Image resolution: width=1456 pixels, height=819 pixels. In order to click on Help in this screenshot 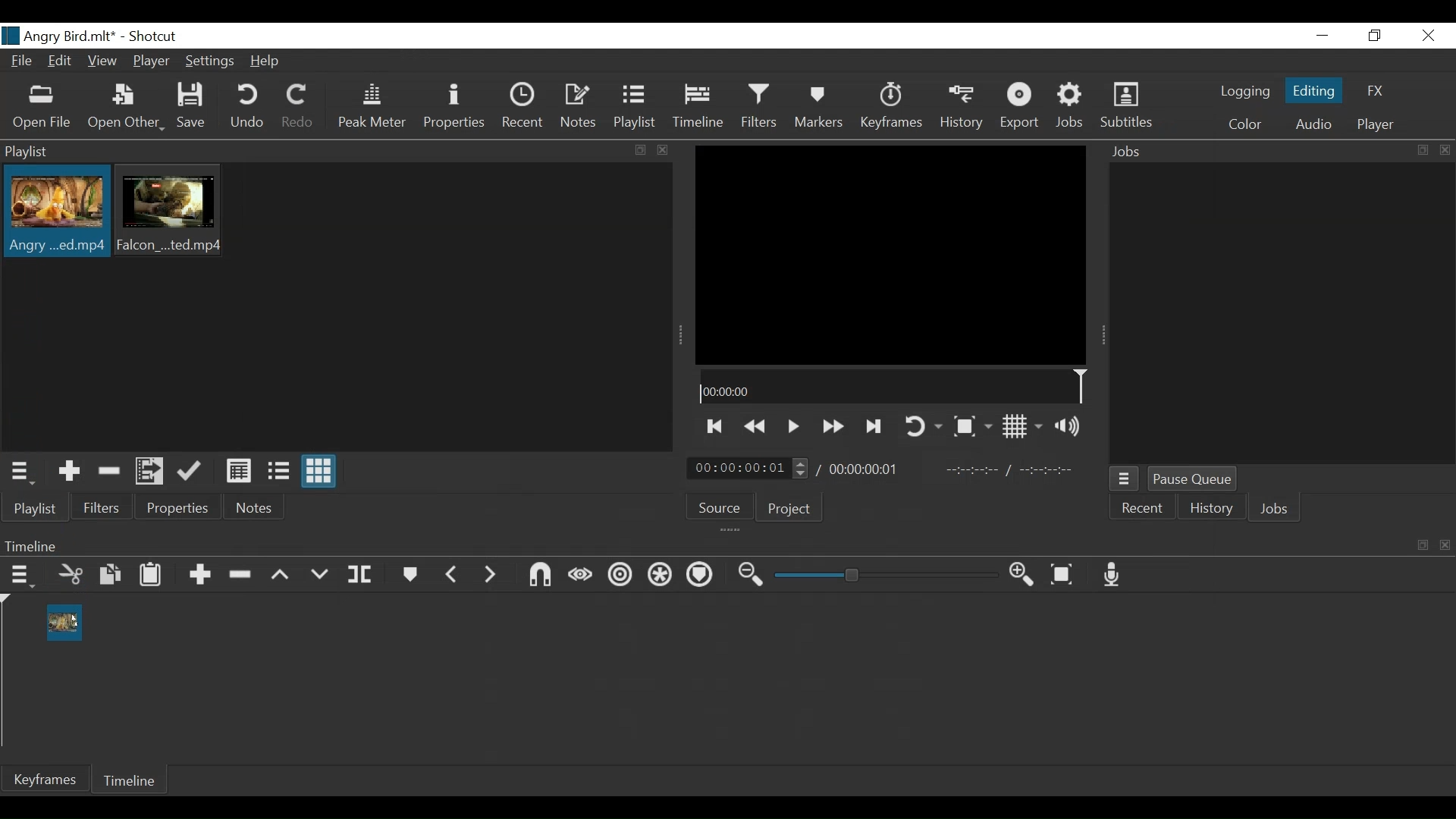, I will do `click(267, 63)`.